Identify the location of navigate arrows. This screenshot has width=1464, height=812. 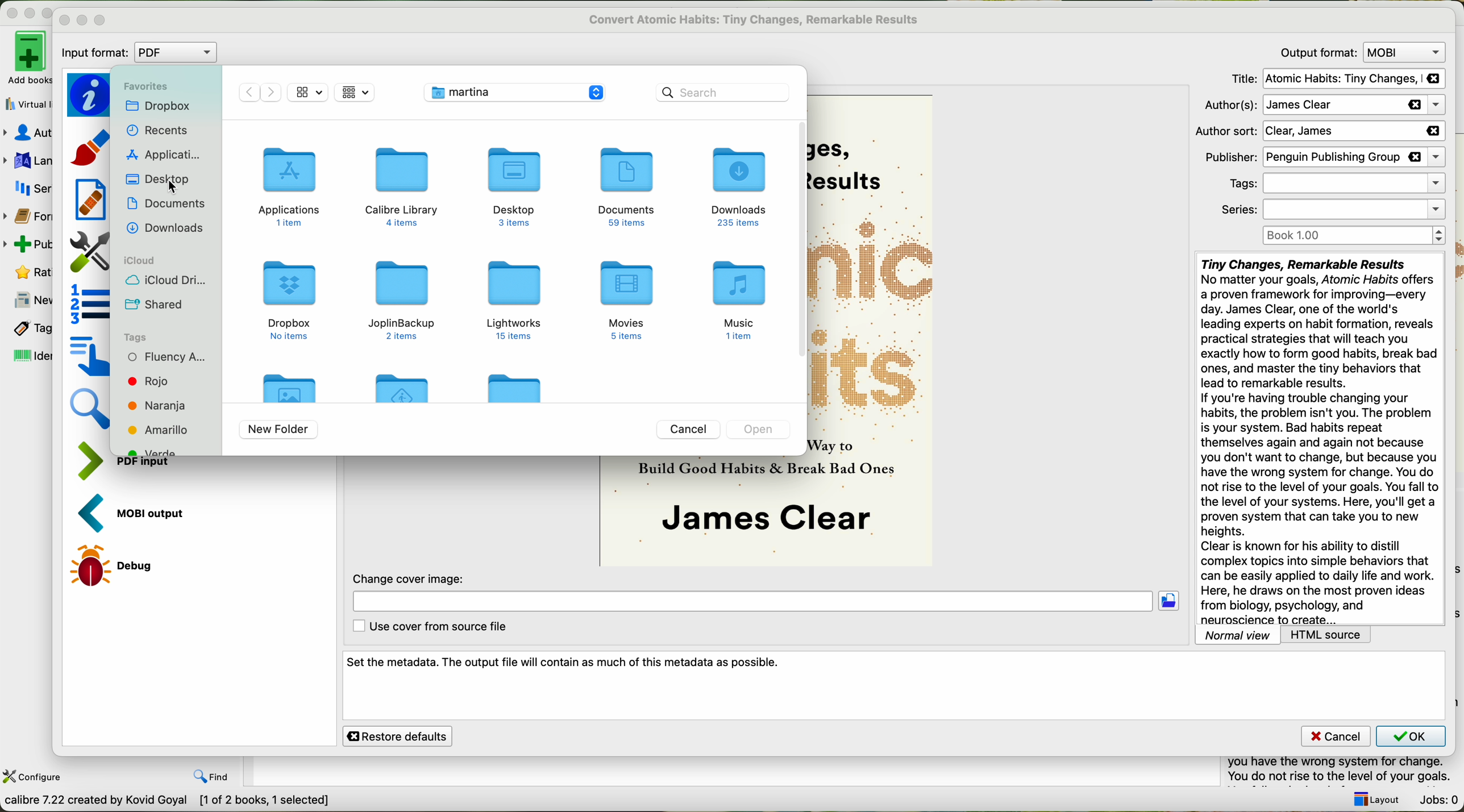
(260, 92).